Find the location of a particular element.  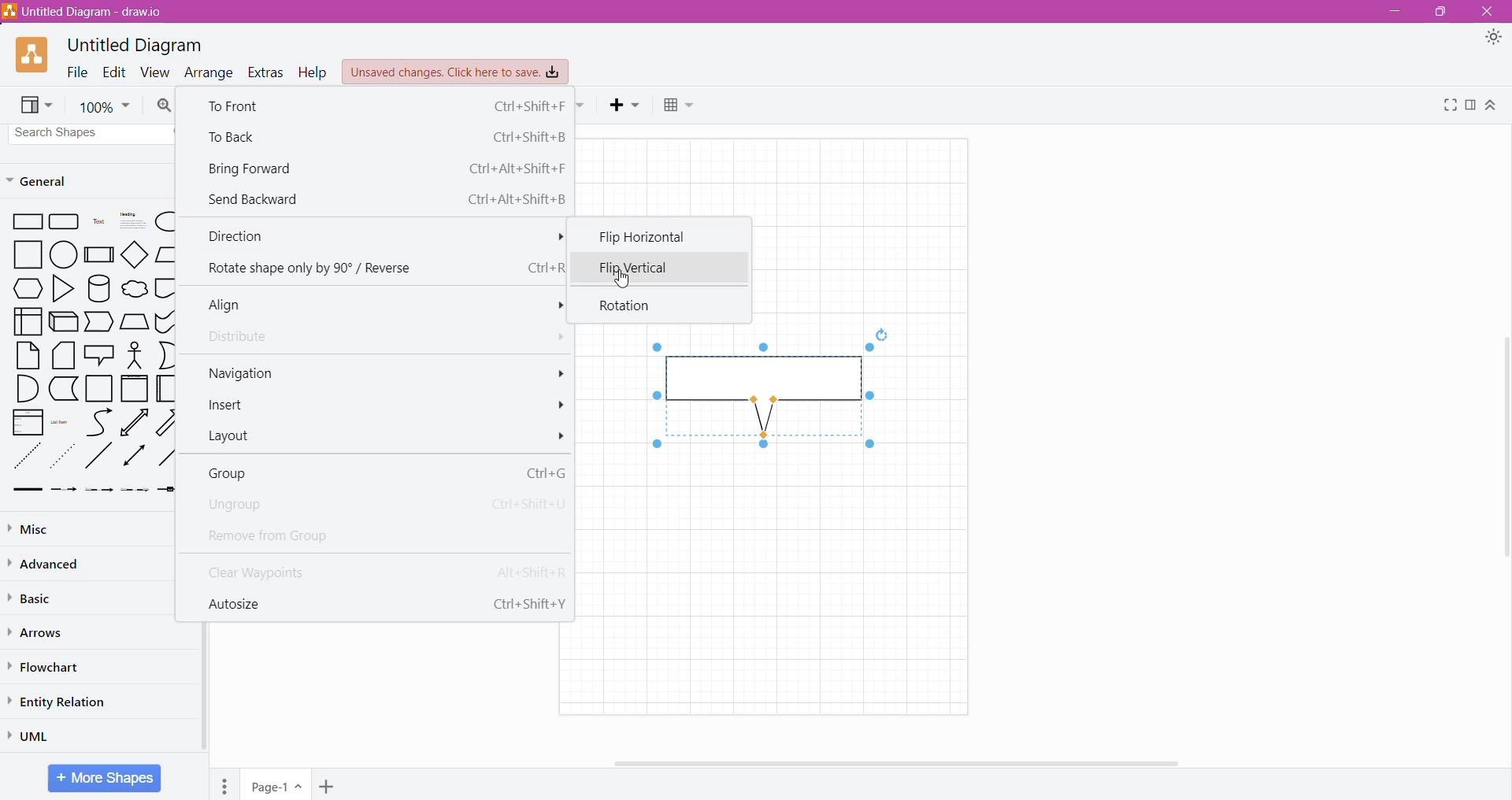

Dotted Line  is located at coordinates (26, 456).